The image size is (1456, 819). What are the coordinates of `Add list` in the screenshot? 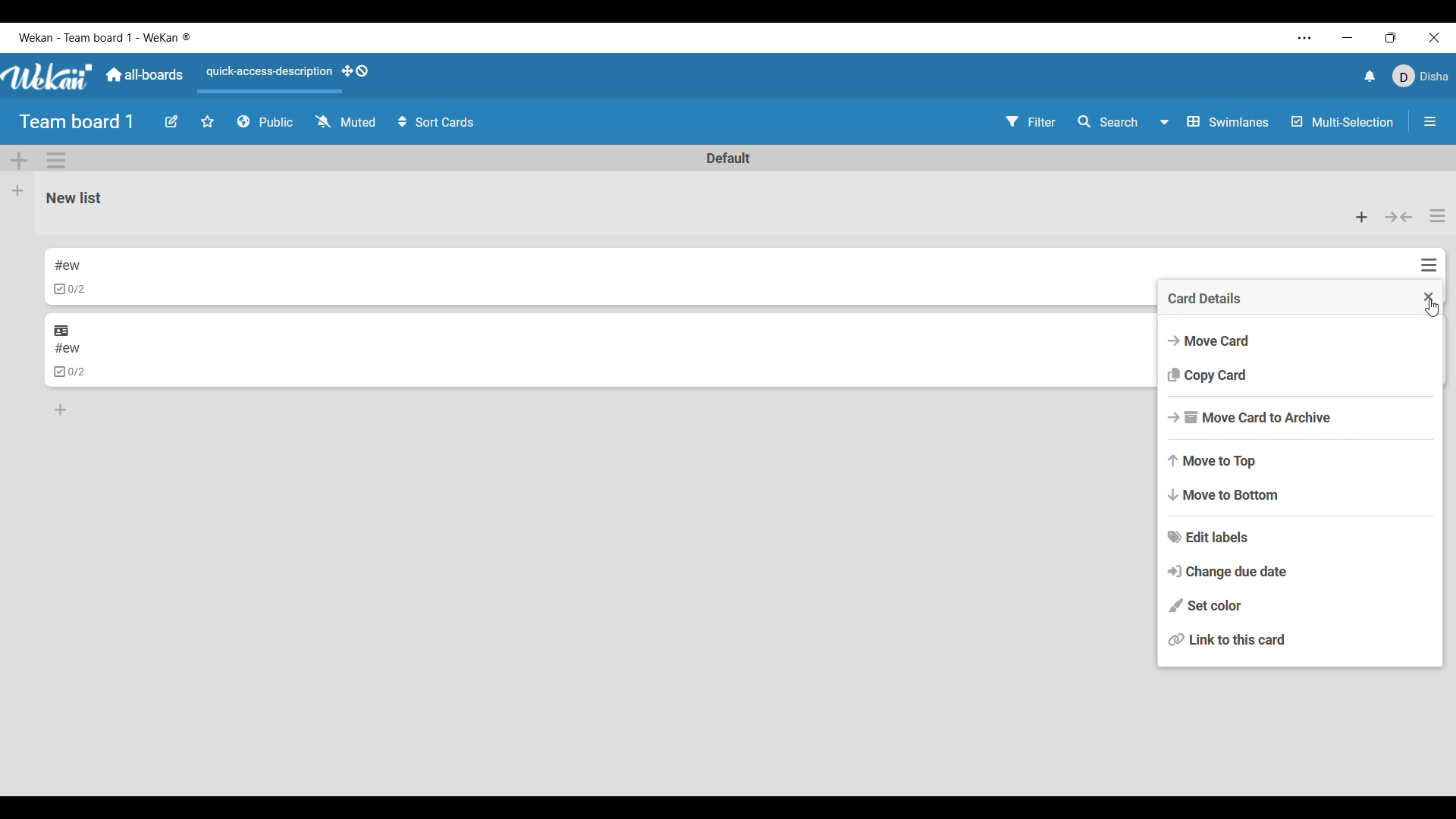 It's located at (18, 191).